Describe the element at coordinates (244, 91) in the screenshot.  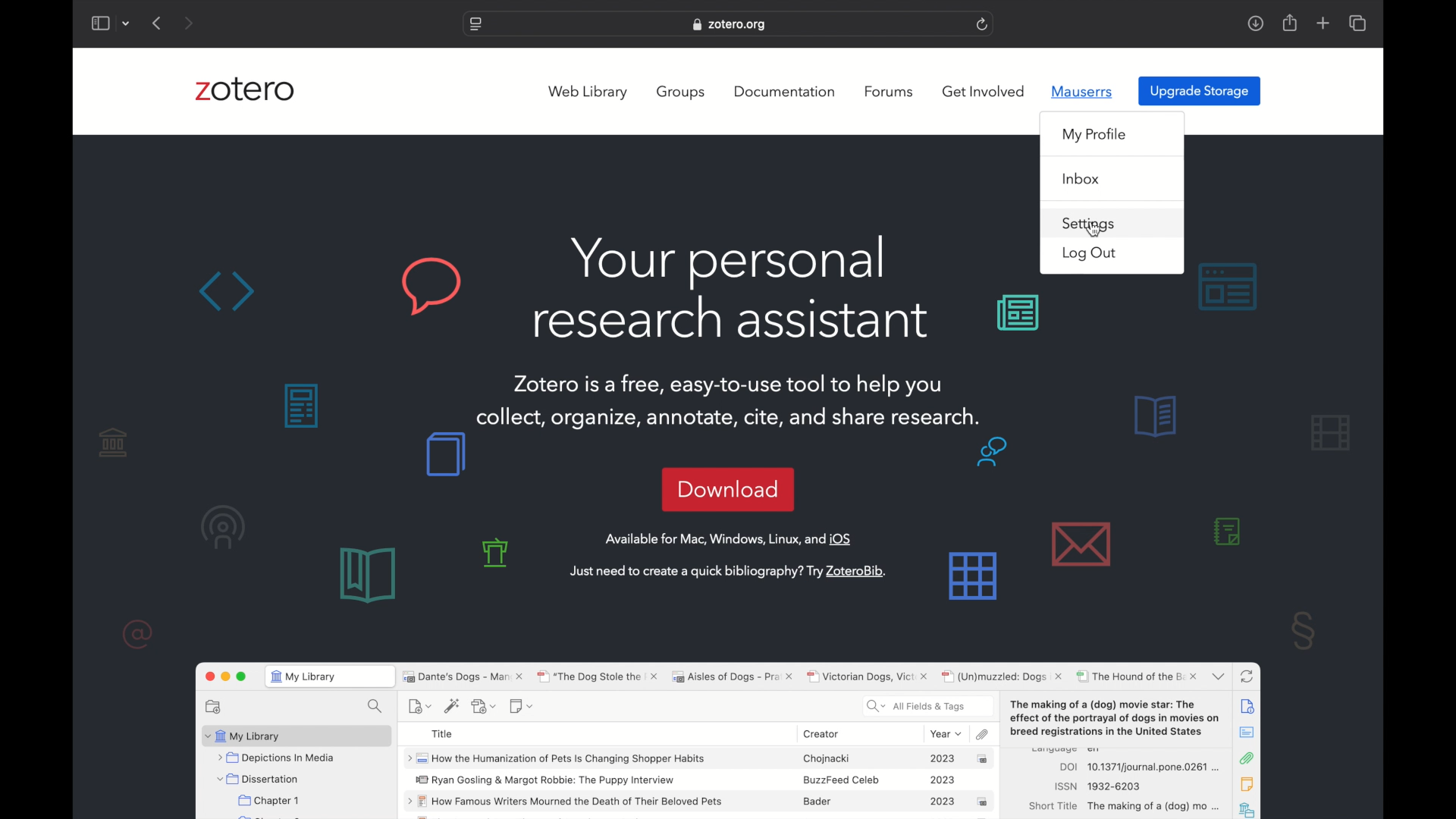
I see `zotero` at that location.